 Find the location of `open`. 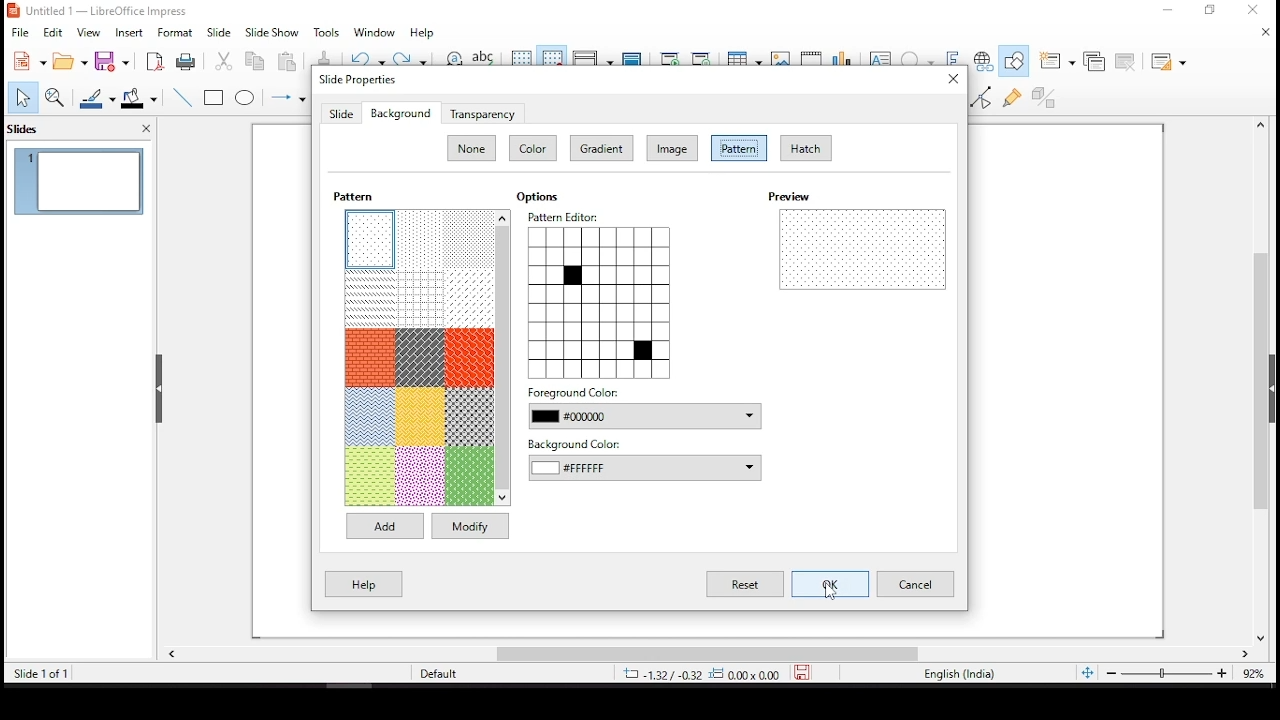

open is located at coordinates (70, 59).